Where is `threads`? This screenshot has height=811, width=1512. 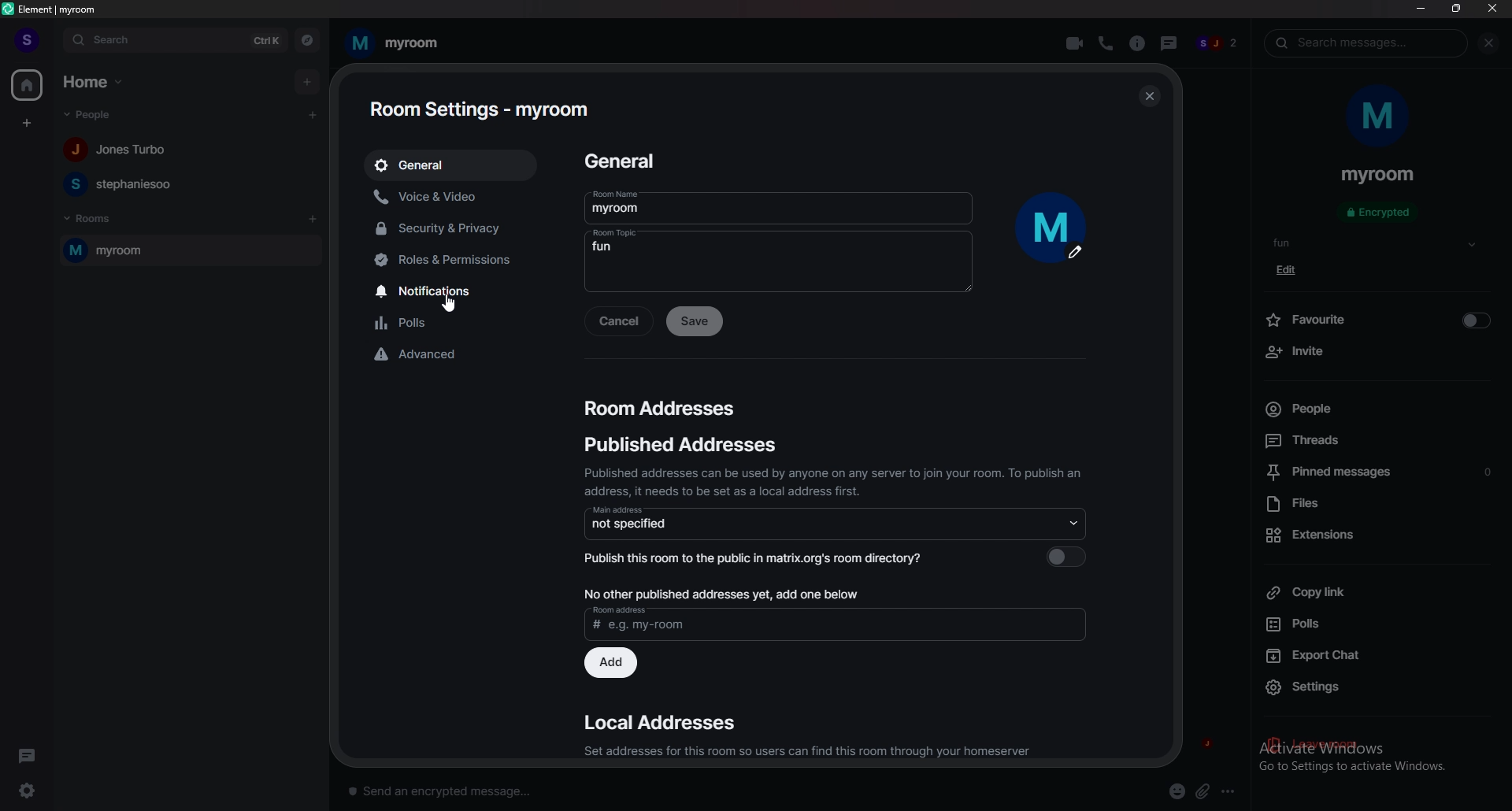
threads is located at coordinates (27, 754).